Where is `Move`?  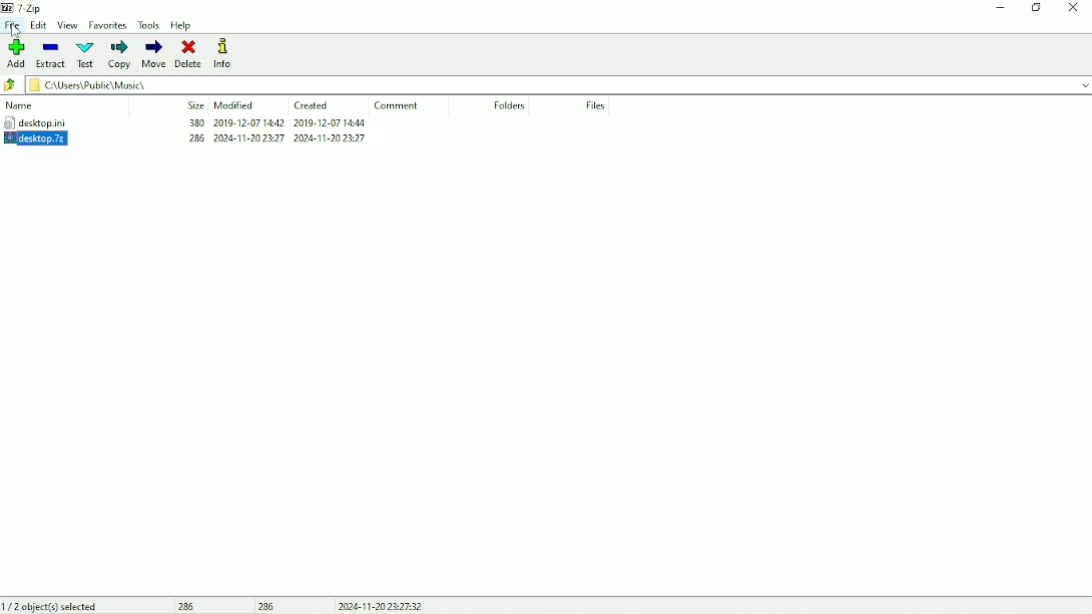
Move is located at coordinates (153, 54).